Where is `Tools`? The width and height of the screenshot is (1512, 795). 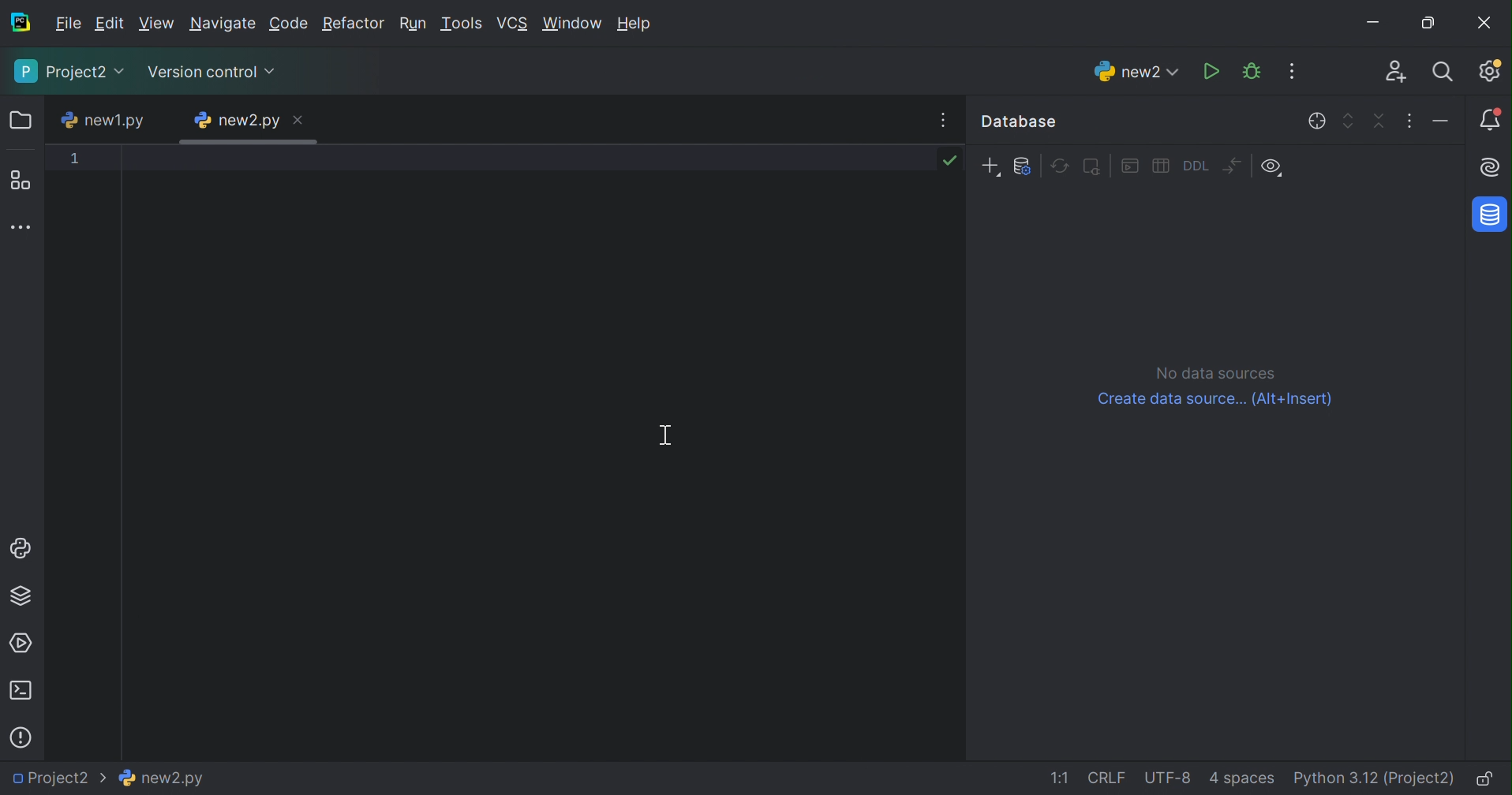
Tools is located at coordinates (462, 24).